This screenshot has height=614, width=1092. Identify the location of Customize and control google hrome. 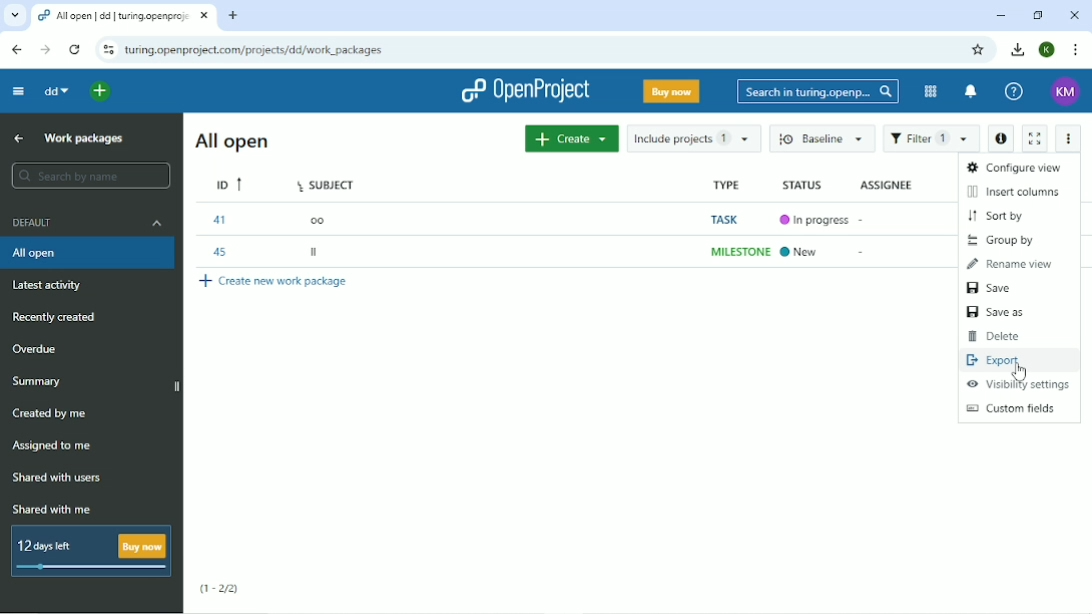
(1074, 50).